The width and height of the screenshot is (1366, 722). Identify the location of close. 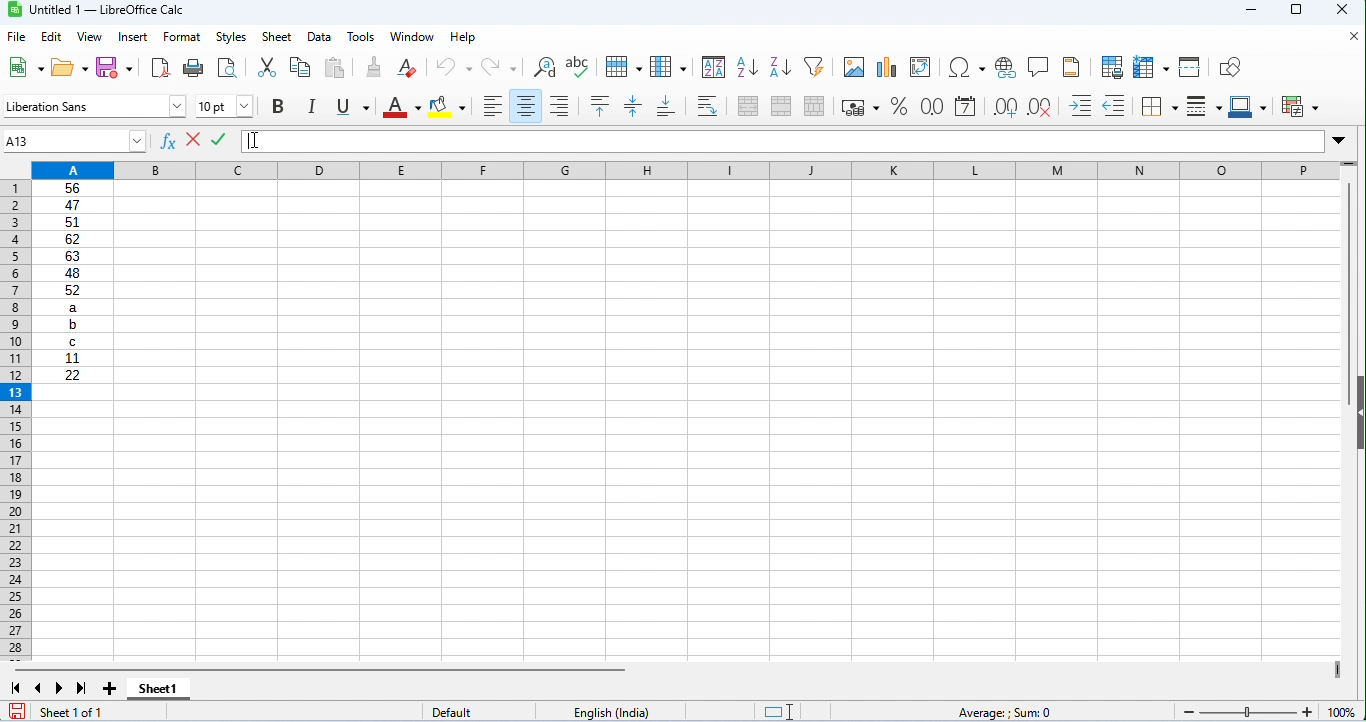
(1344, 11).